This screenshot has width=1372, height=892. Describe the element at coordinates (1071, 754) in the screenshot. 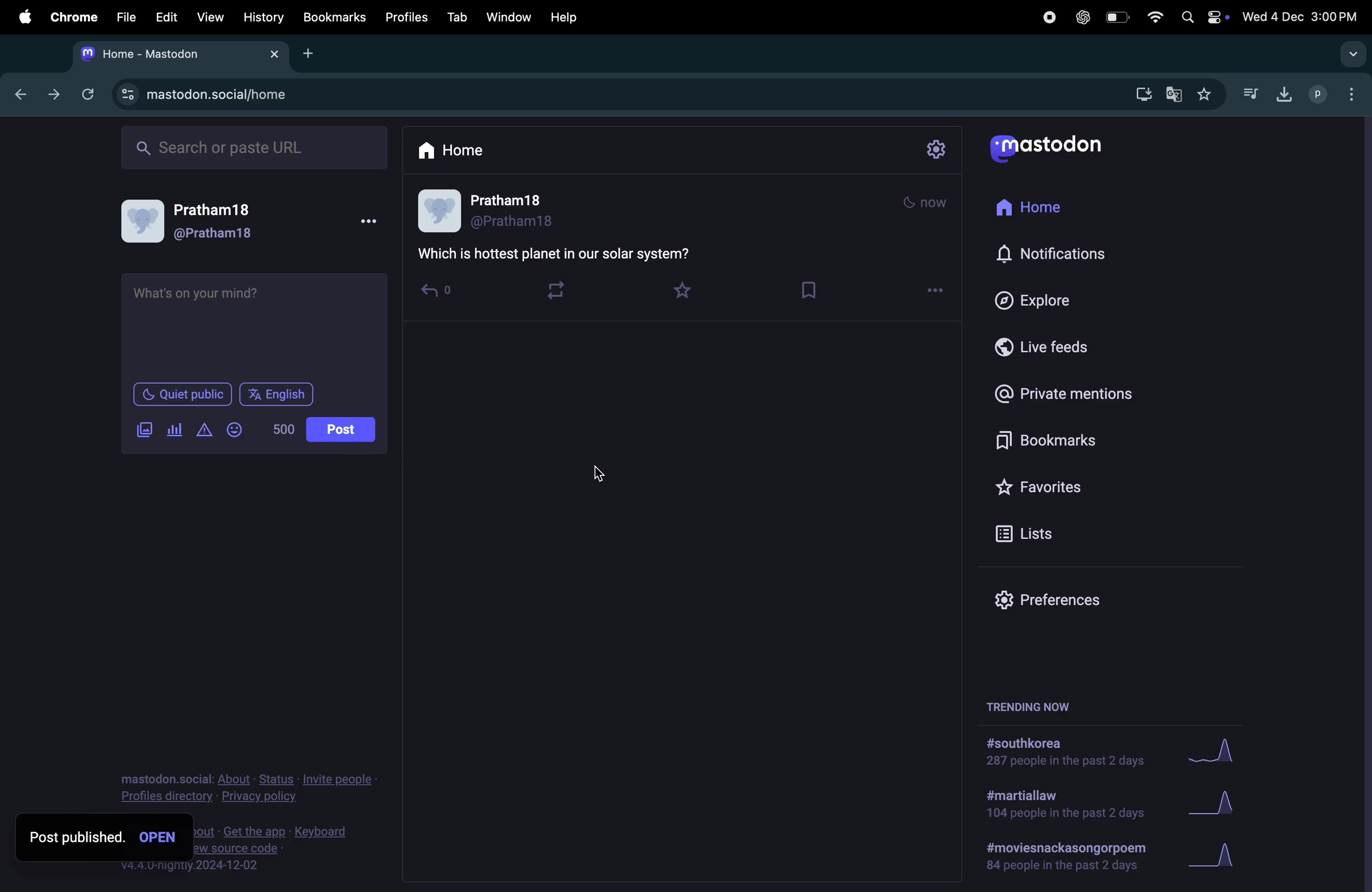

I see `#south korea solutuions` at that location.